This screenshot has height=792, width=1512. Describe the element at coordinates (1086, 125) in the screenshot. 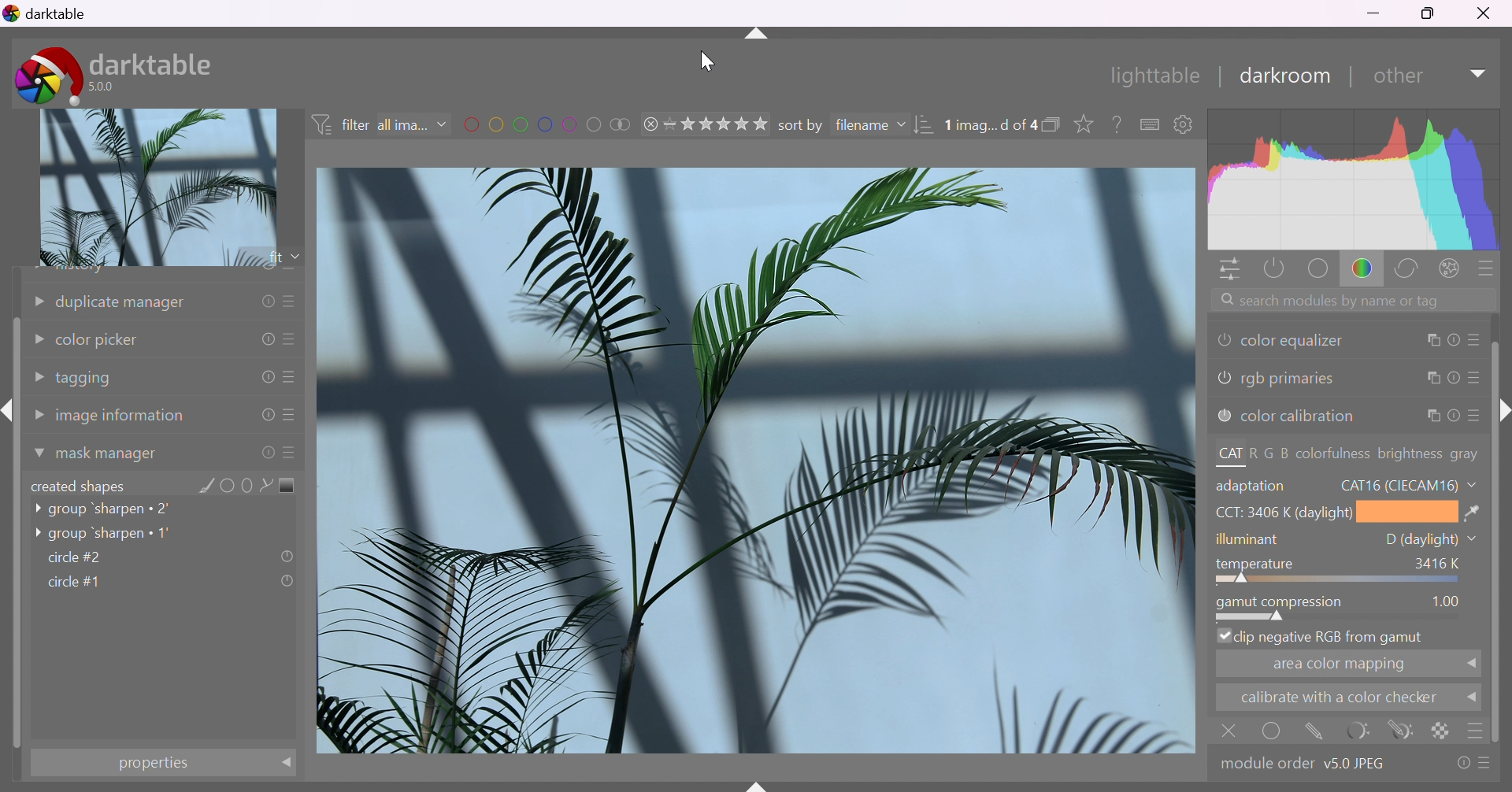

I see `click to change type of overlays` at that location.